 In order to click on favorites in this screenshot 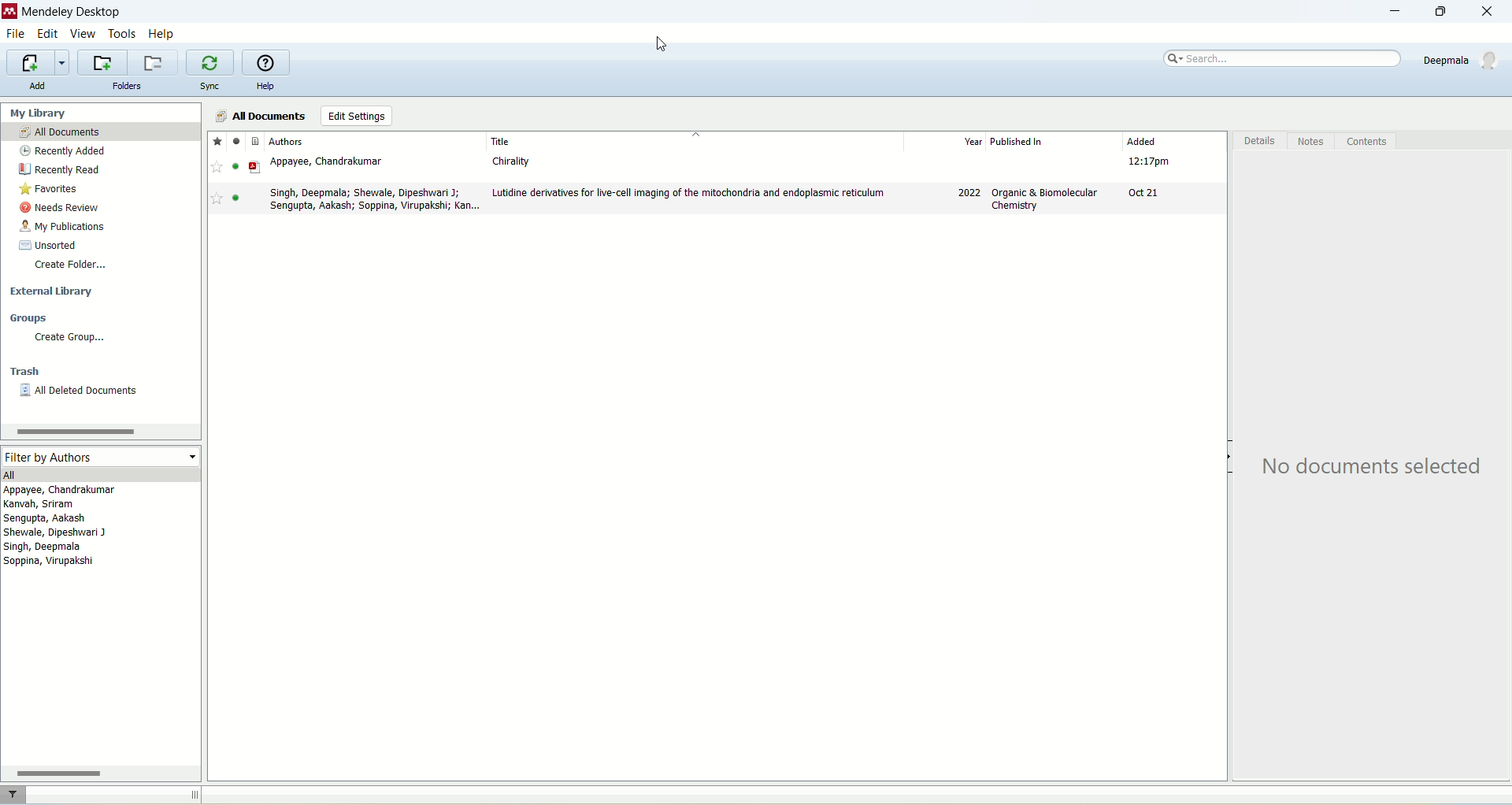, I will do `click(54, 190)`.